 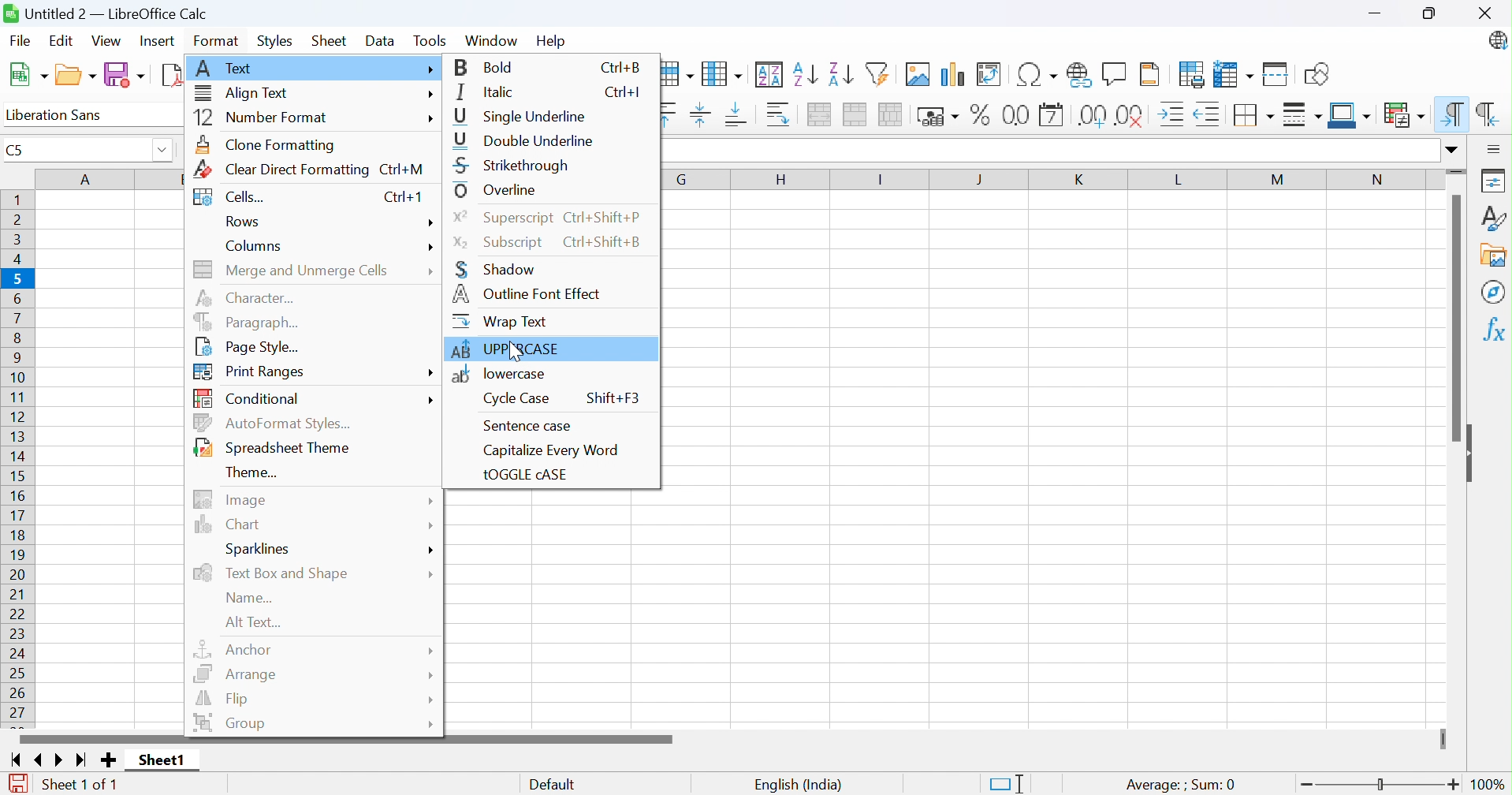 I want to click on Sidebar settings, so click(x=1491, y=149).